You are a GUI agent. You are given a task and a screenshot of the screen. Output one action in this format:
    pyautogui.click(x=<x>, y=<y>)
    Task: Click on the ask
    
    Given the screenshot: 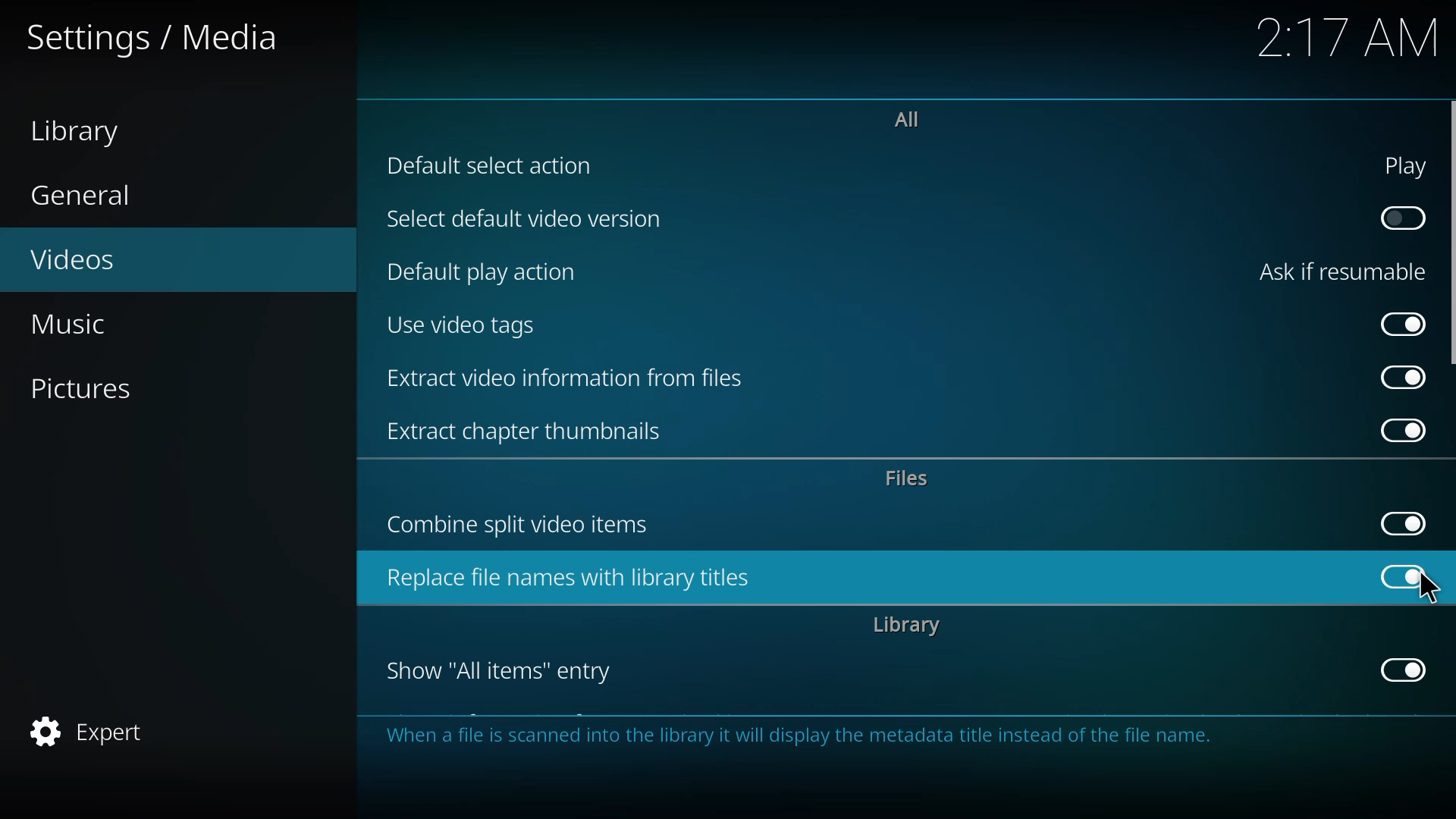 What is the action you would take?
    pyautogui.click(x=1340, y=272)
    